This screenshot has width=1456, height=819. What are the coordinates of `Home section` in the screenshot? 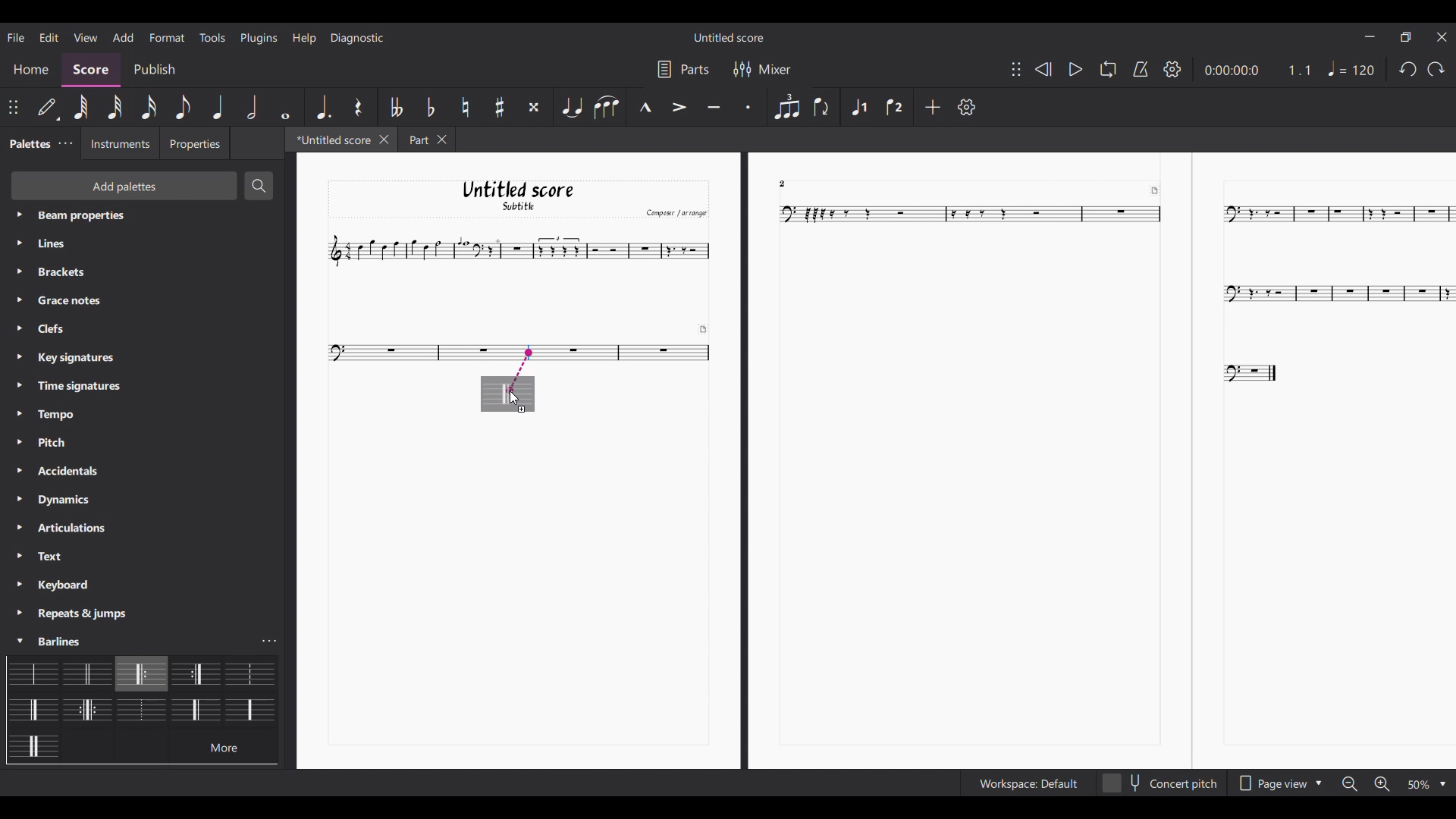 It's located at (30, 70).